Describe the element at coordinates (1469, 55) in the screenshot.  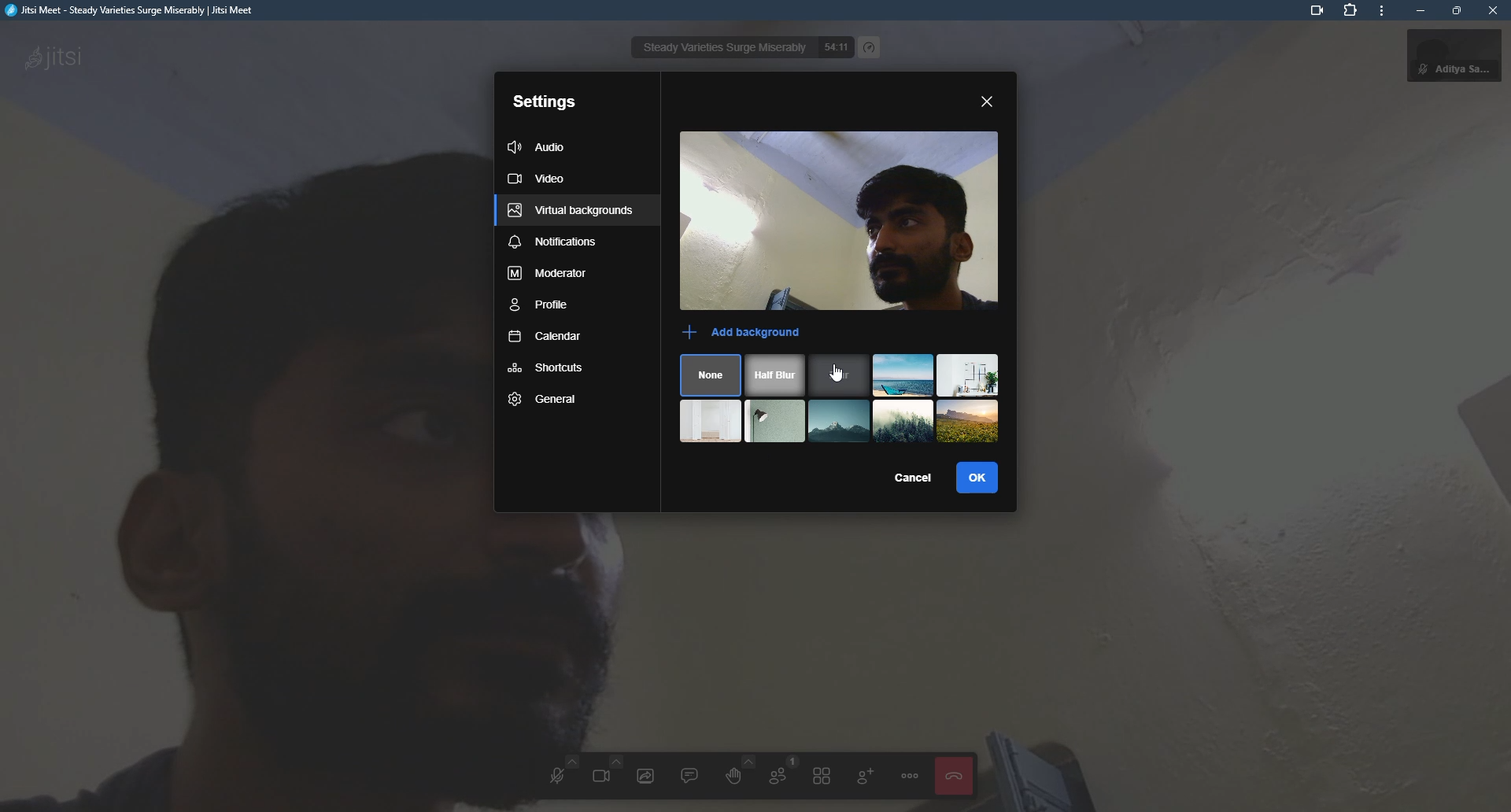
I see `profile` at that location.